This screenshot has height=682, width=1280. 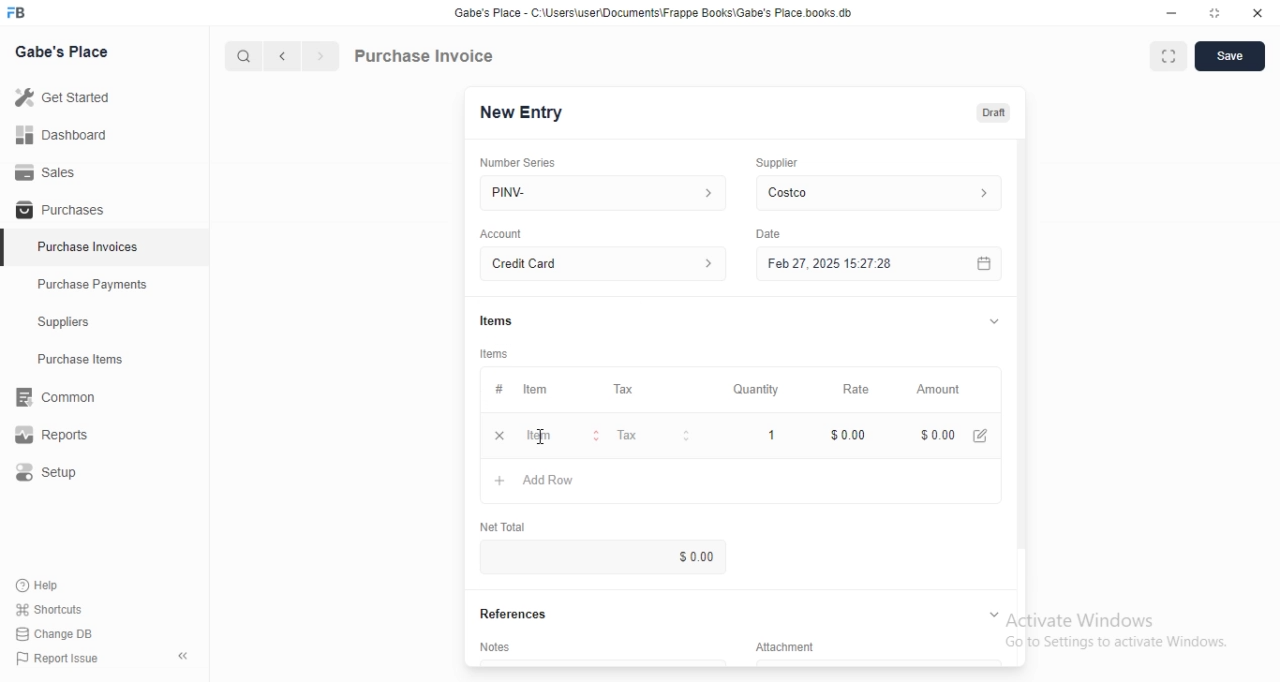 I want to click on Edit, so click(x=980, y=436).